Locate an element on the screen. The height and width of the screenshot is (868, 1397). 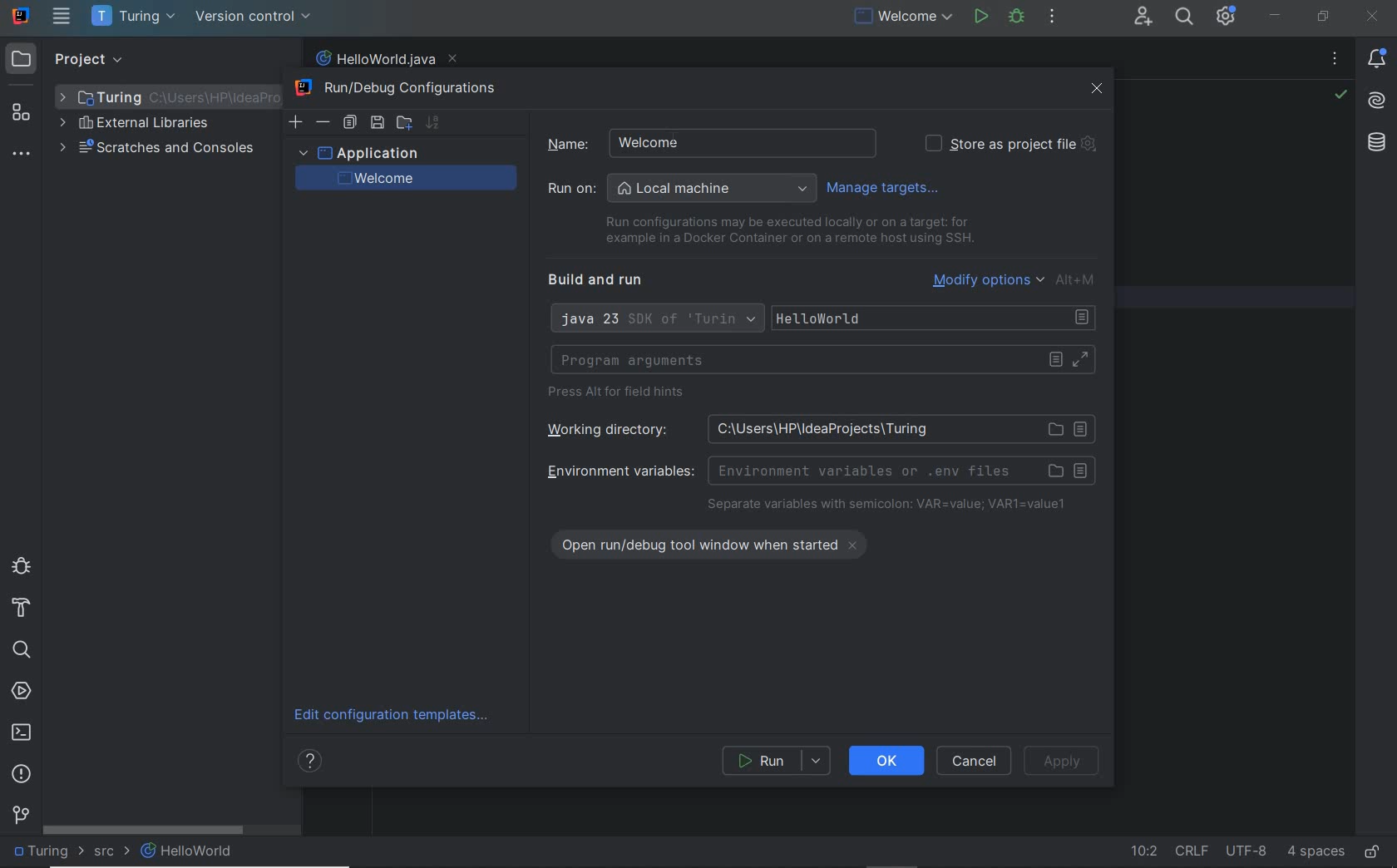
ADD NEW CONFIGURATION is located at coordinates (297, 121).